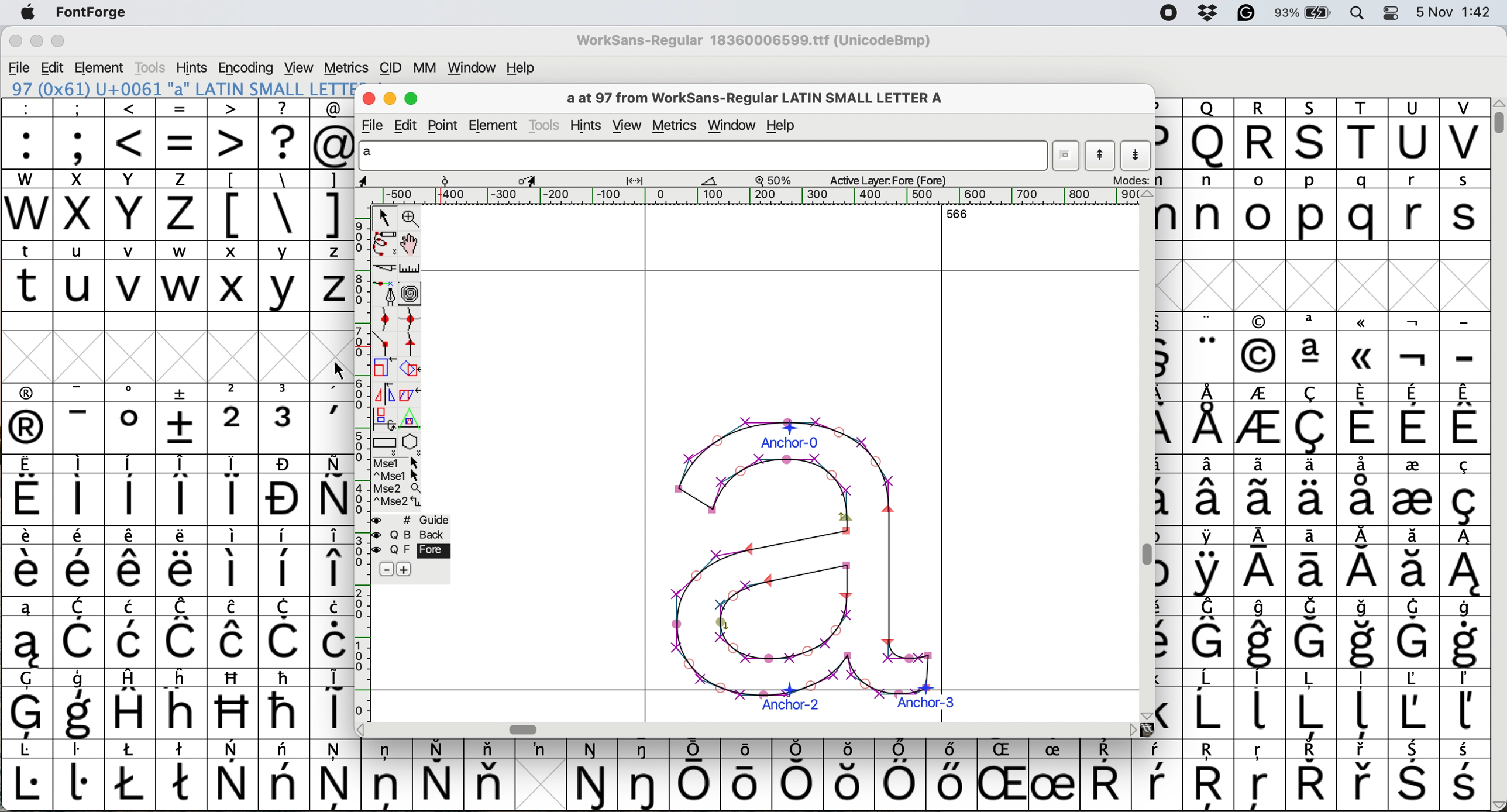 The image size is (1507, 812). I want to click on tools, so click(546, 123).